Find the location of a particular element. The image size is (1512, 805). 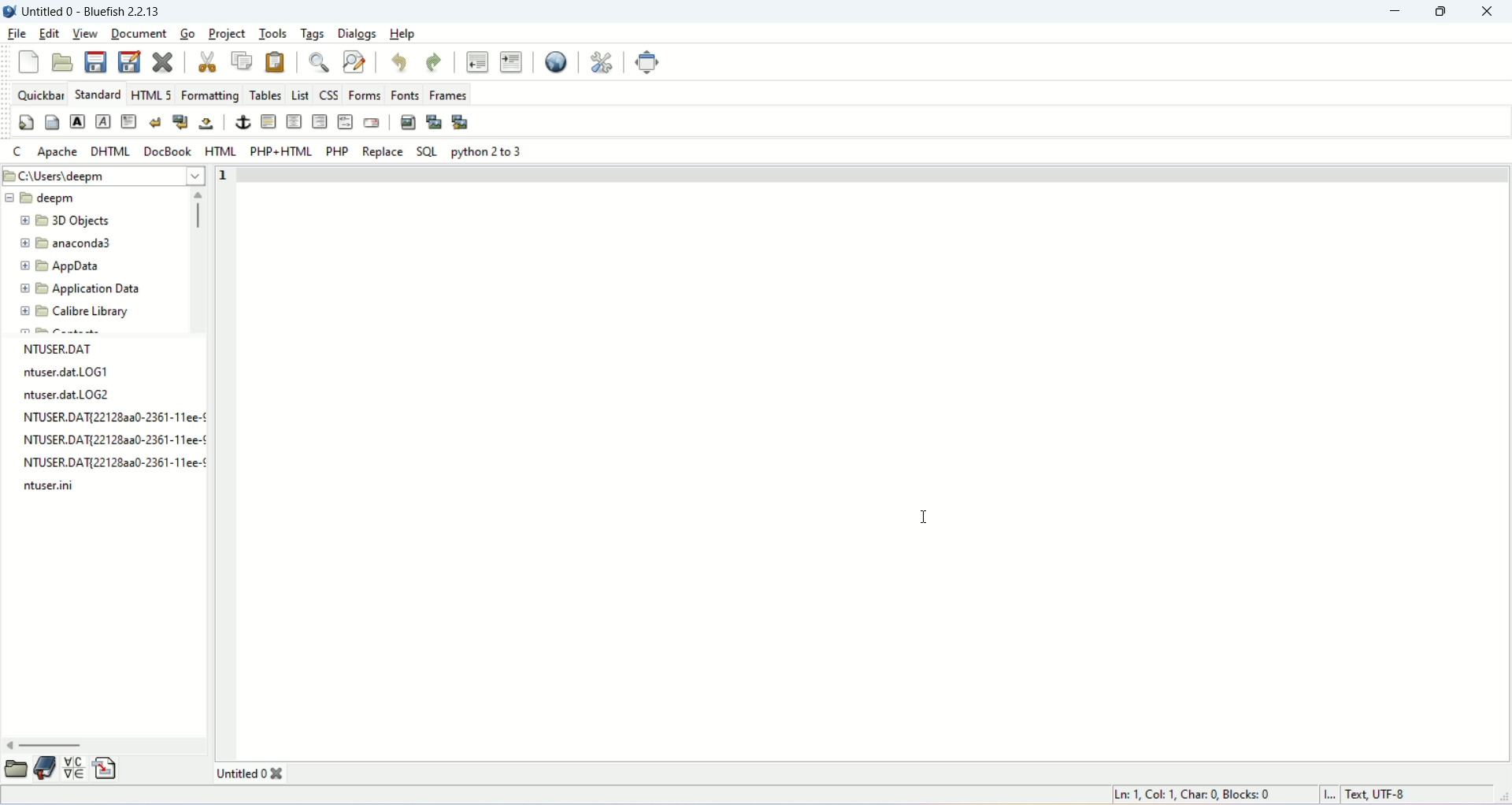

show find bar is located at coordinates (318, 61).